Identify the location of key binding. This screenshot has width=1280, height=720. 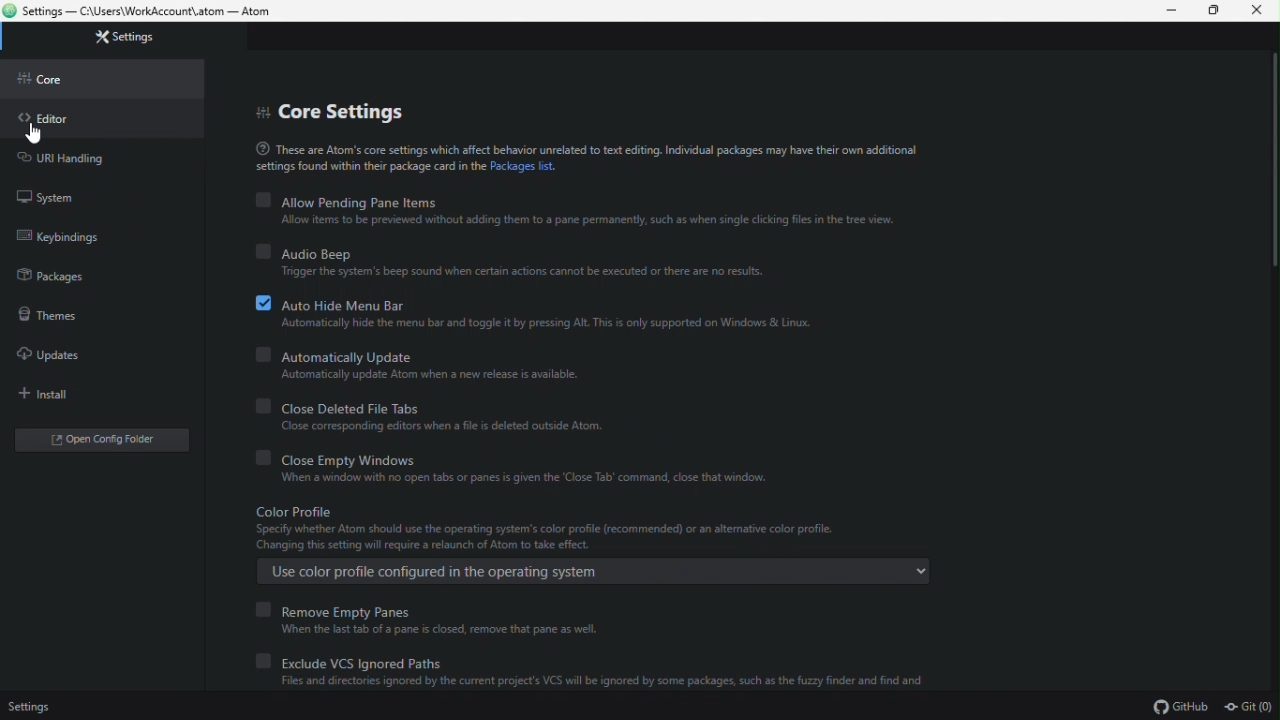
(65, 235).